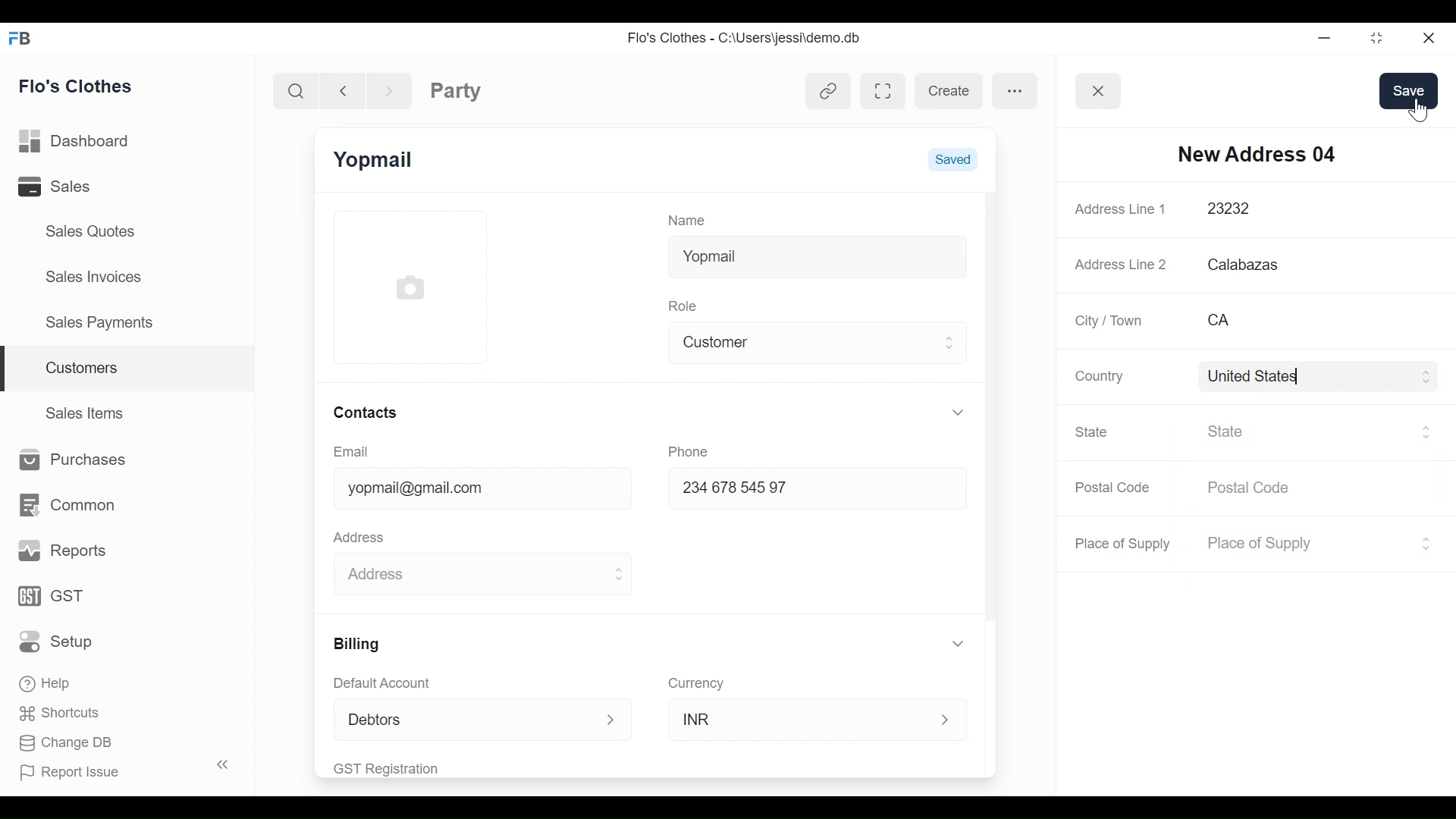  I want to click on United States, so click(1306, 376).